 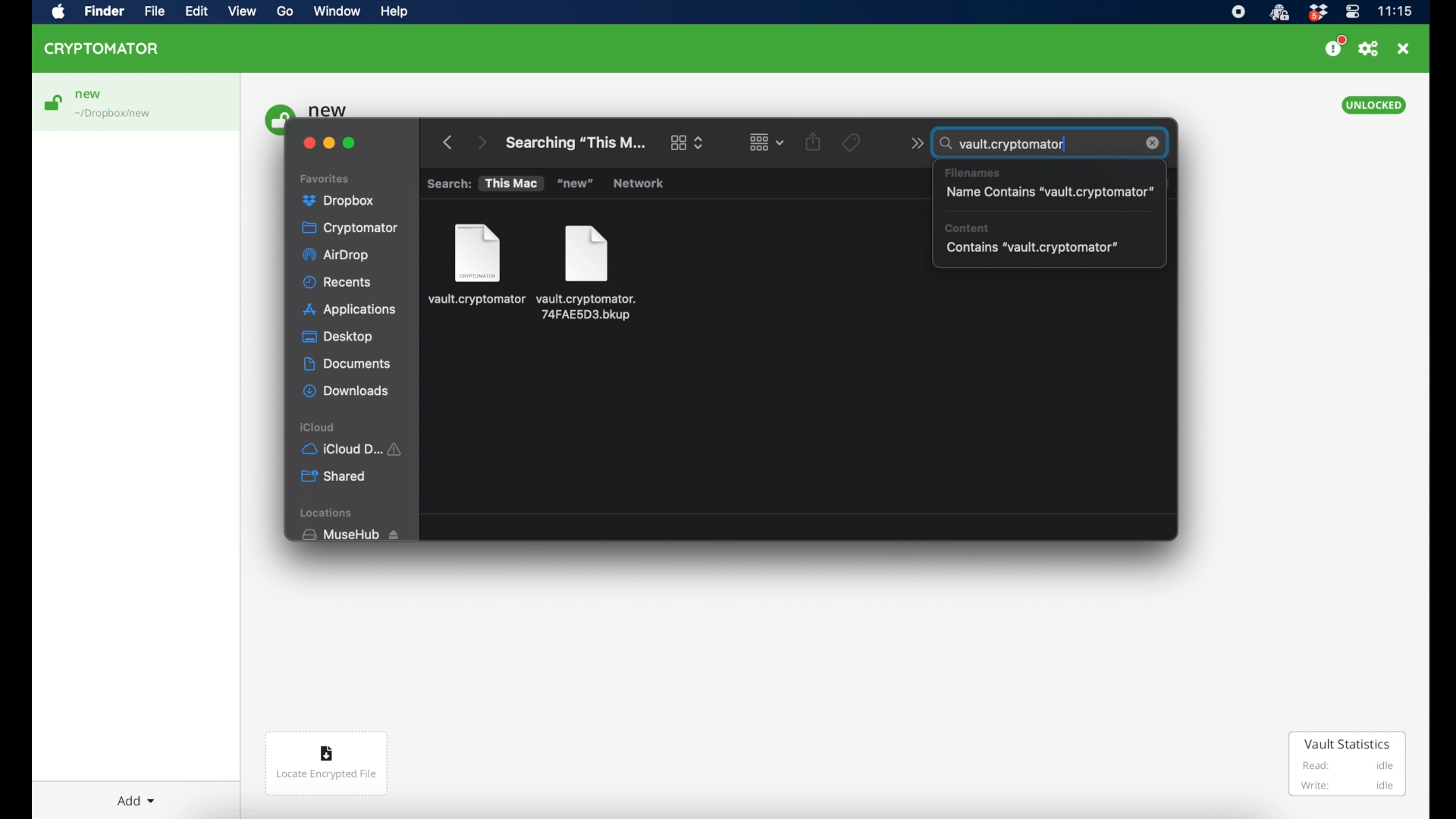 What do you see at coordinates (59, 13) in the screenshot?
I see `apple icon` at bounding box center [59, 13].